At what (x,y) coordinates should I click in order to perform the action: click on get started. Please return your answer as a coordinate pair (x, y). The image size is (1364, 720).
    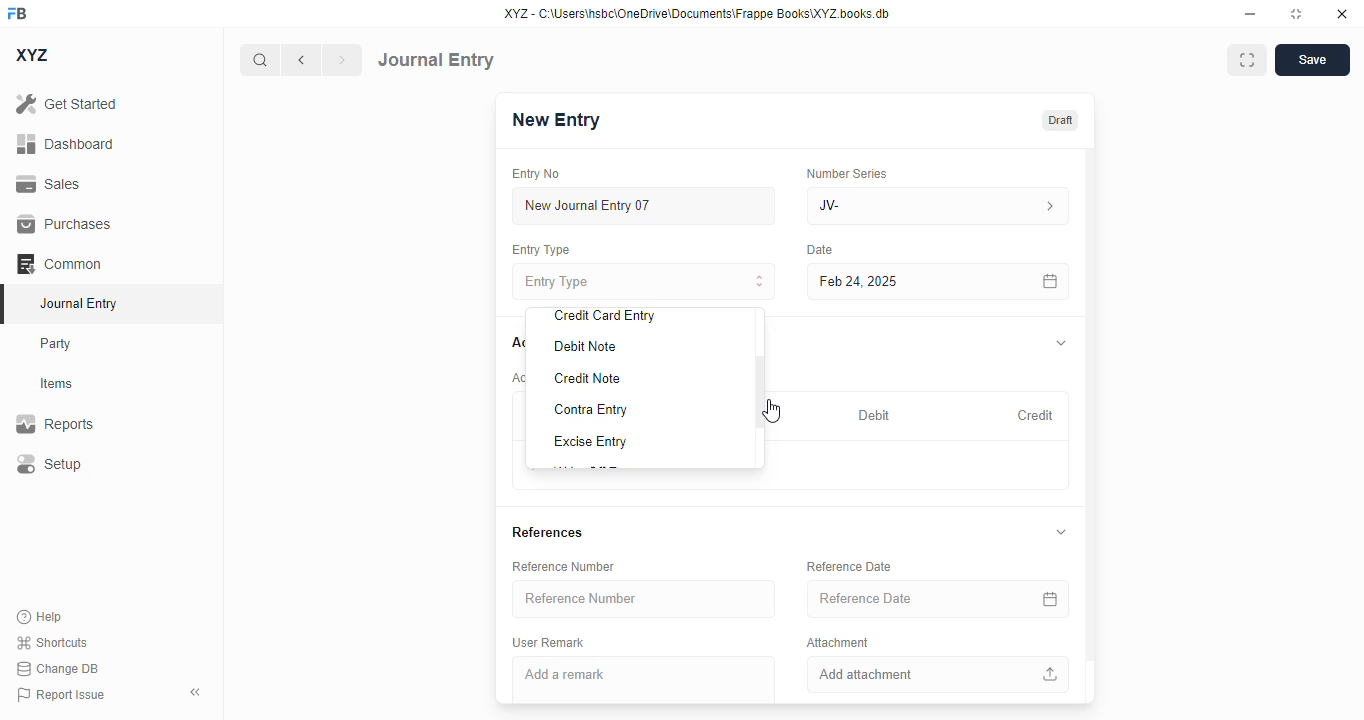
    Looking at the image, I should click on (67, 104).